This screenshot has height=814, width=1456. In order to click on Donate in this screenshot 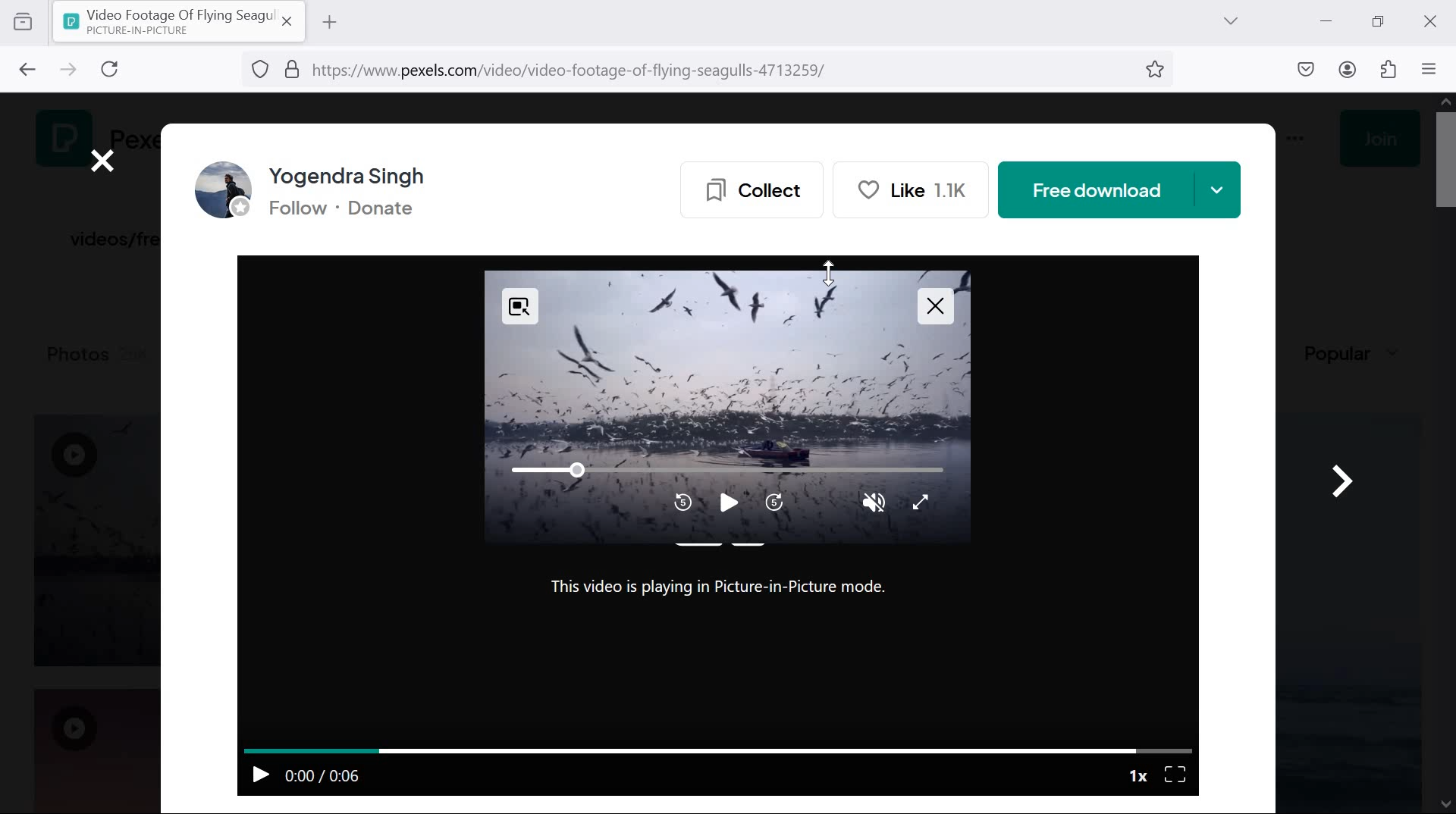, I will do `click(391, 211)`.